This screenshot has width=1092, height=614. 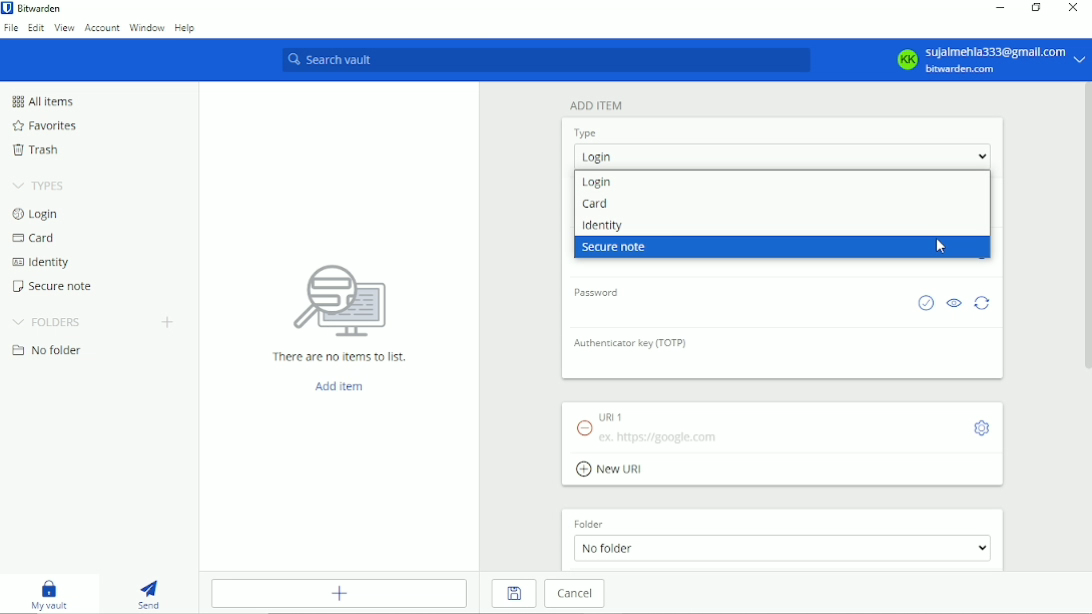 I want to click on New URI, so click(x=612, y=469).